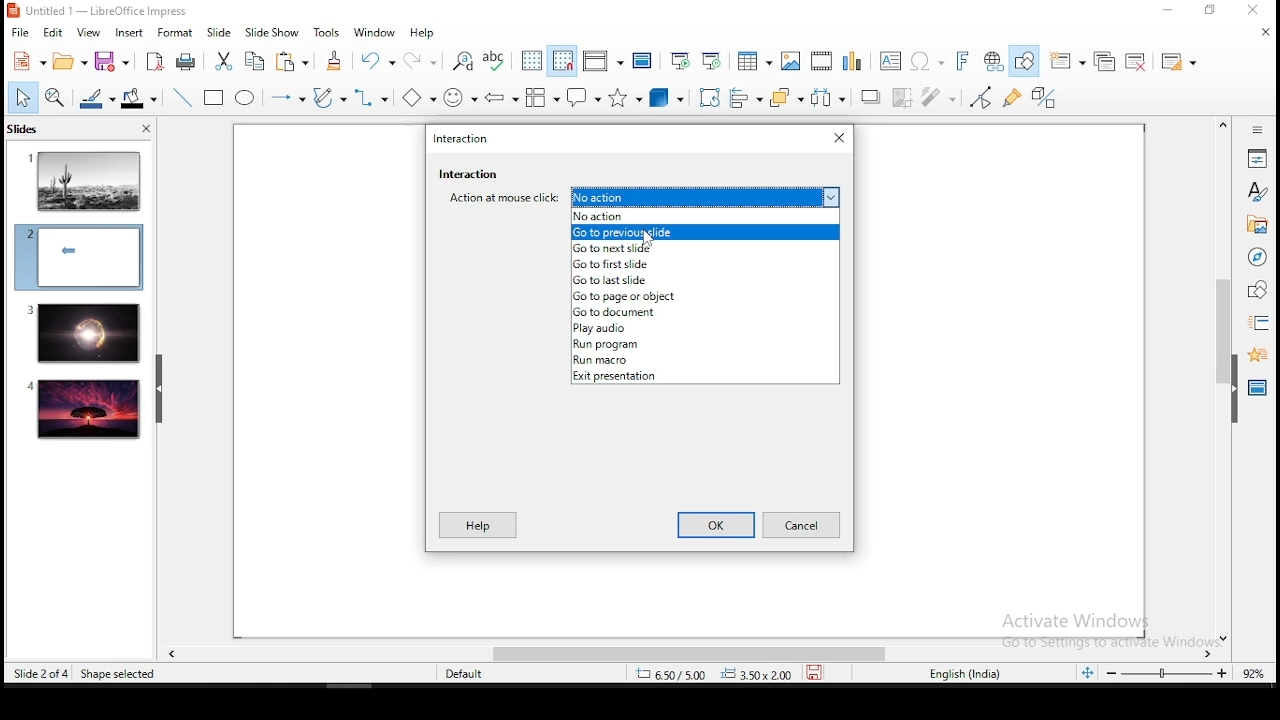 The image size is (1280, 720). What do you see at coordinates (713, 60) in the screenshot?
I see `start from current slide` at bounding box center [713, 60].